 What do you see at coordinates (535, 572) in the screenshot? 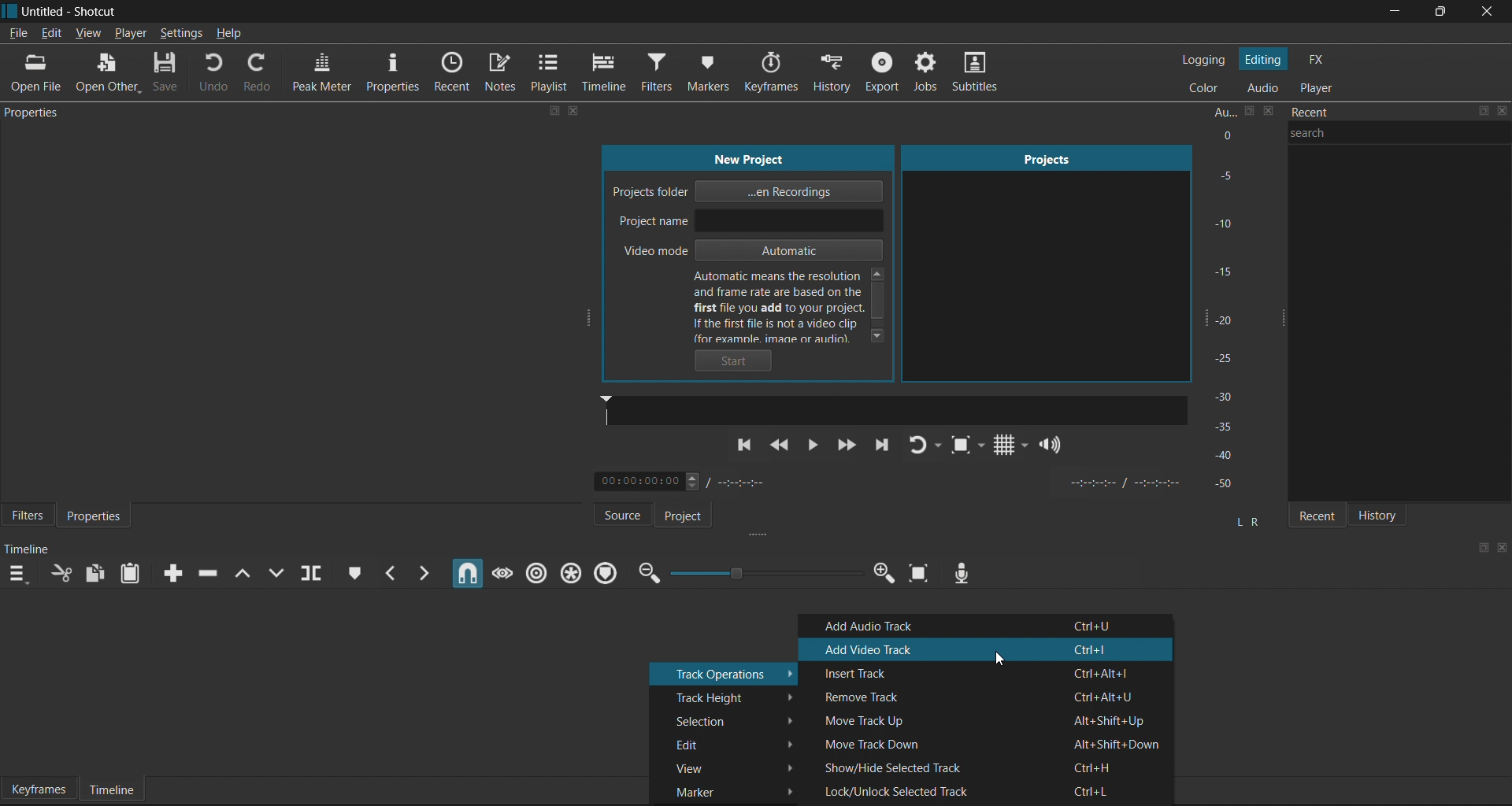
I see `Ripple` at bounding box center [535, 572].